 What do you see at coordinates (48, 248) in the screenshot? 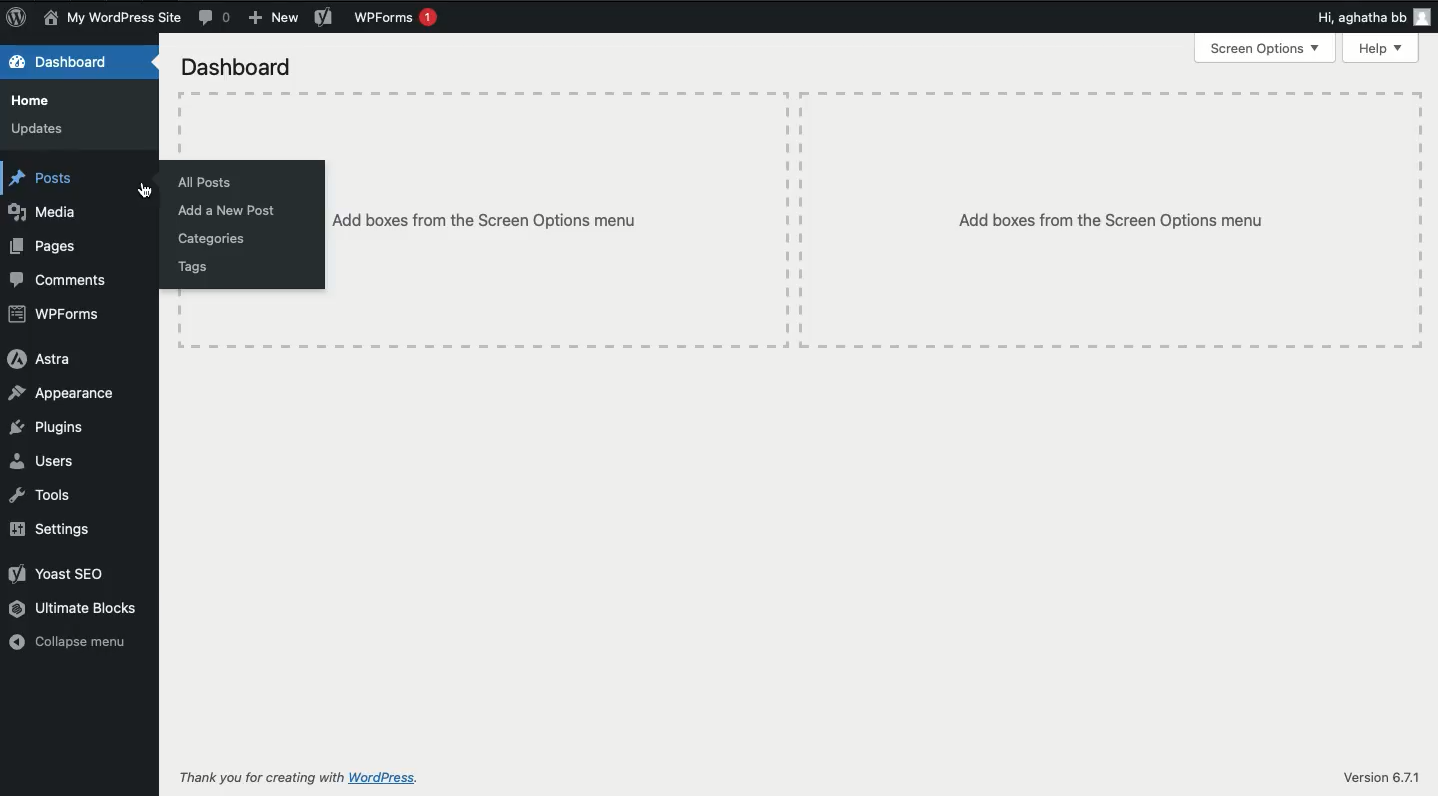
I see `Pages` at bounding box center [48, 248].